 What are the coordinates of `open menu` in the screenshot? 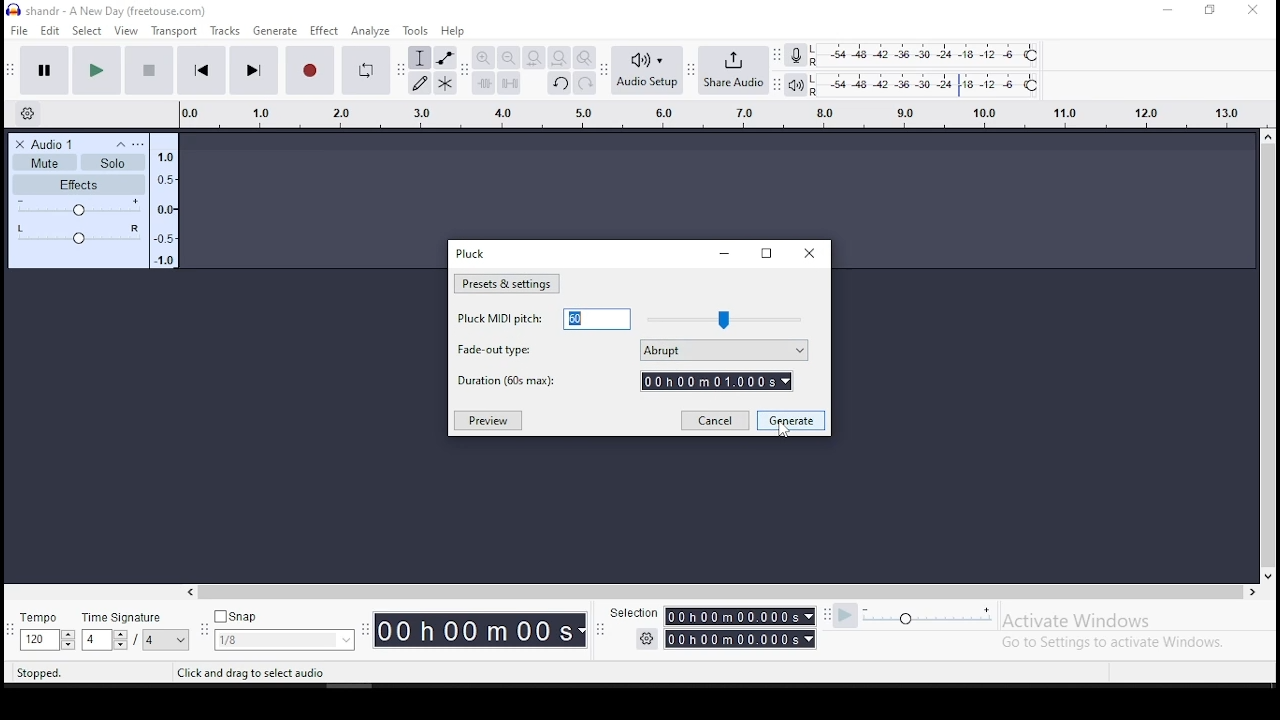 It's located at (138, 142).